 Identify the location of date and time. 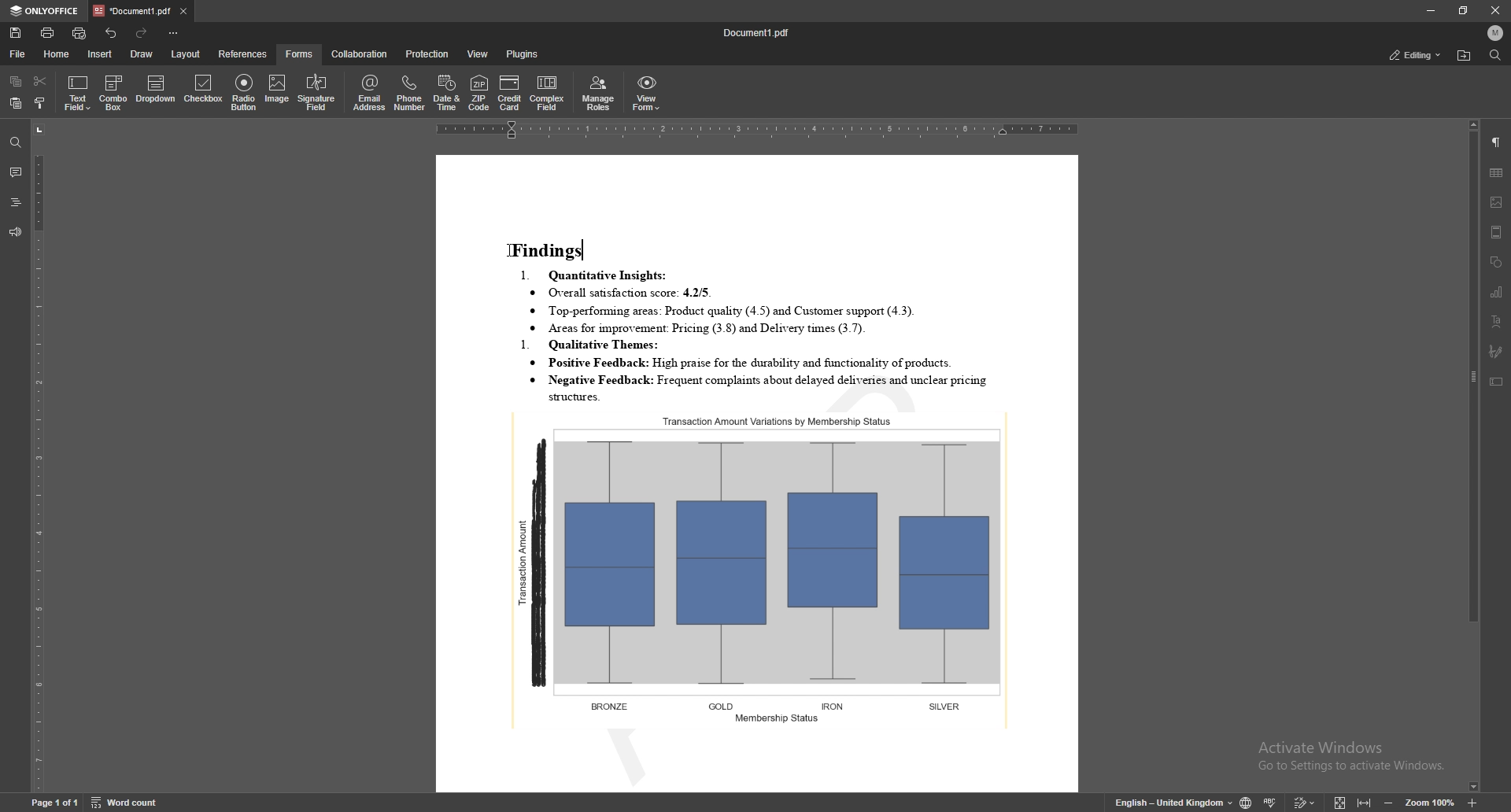
(446, 94).